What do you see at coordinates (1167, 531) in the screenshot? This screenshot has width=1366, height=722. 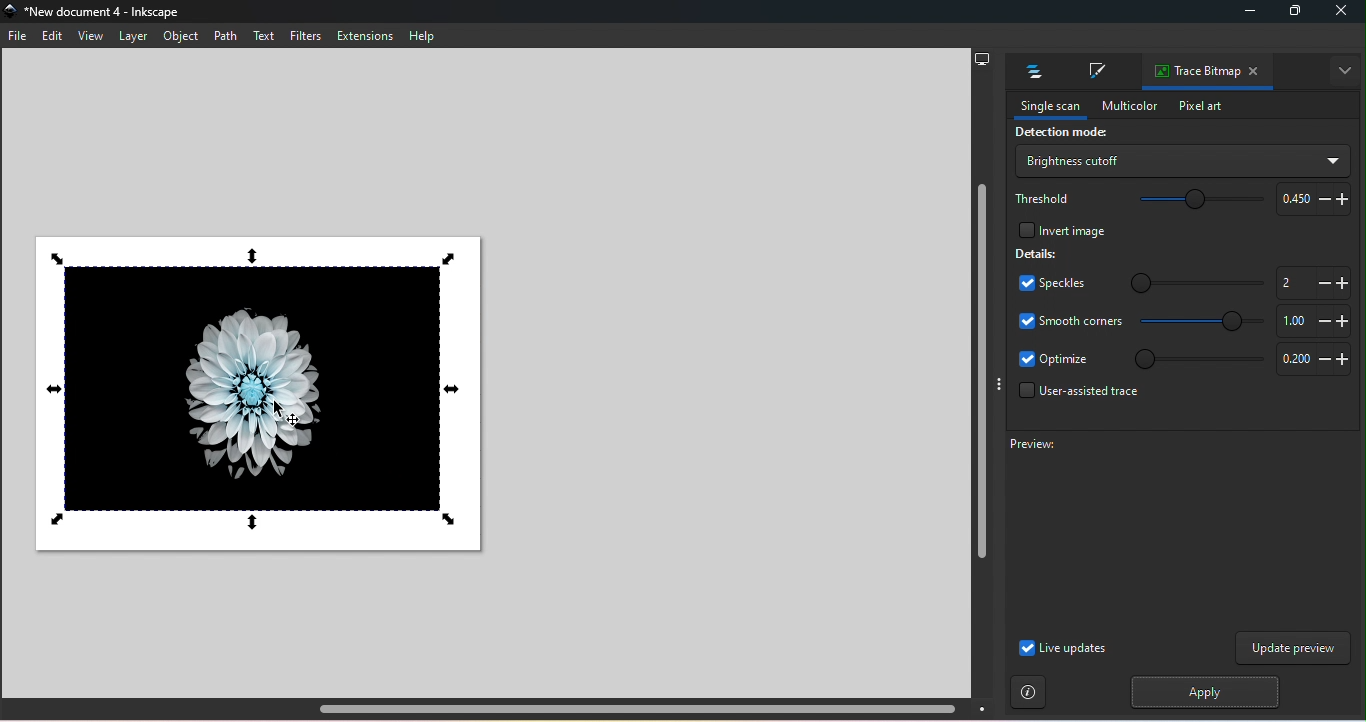 I see `Preview` at bounding box center [1167, 531].